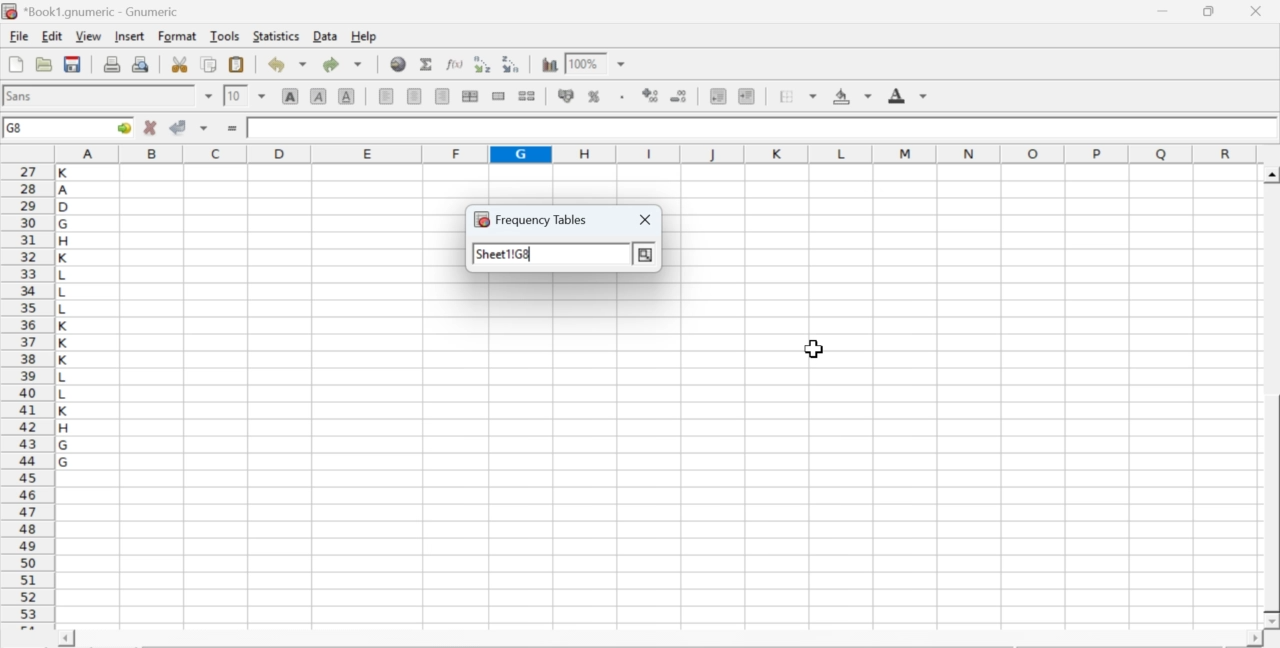 The height and width of the screenshot is (648, 1280). Describe the element at coordinates (678, 97) in the screenshot. I see `decrease number of decimals displayed` at that location.